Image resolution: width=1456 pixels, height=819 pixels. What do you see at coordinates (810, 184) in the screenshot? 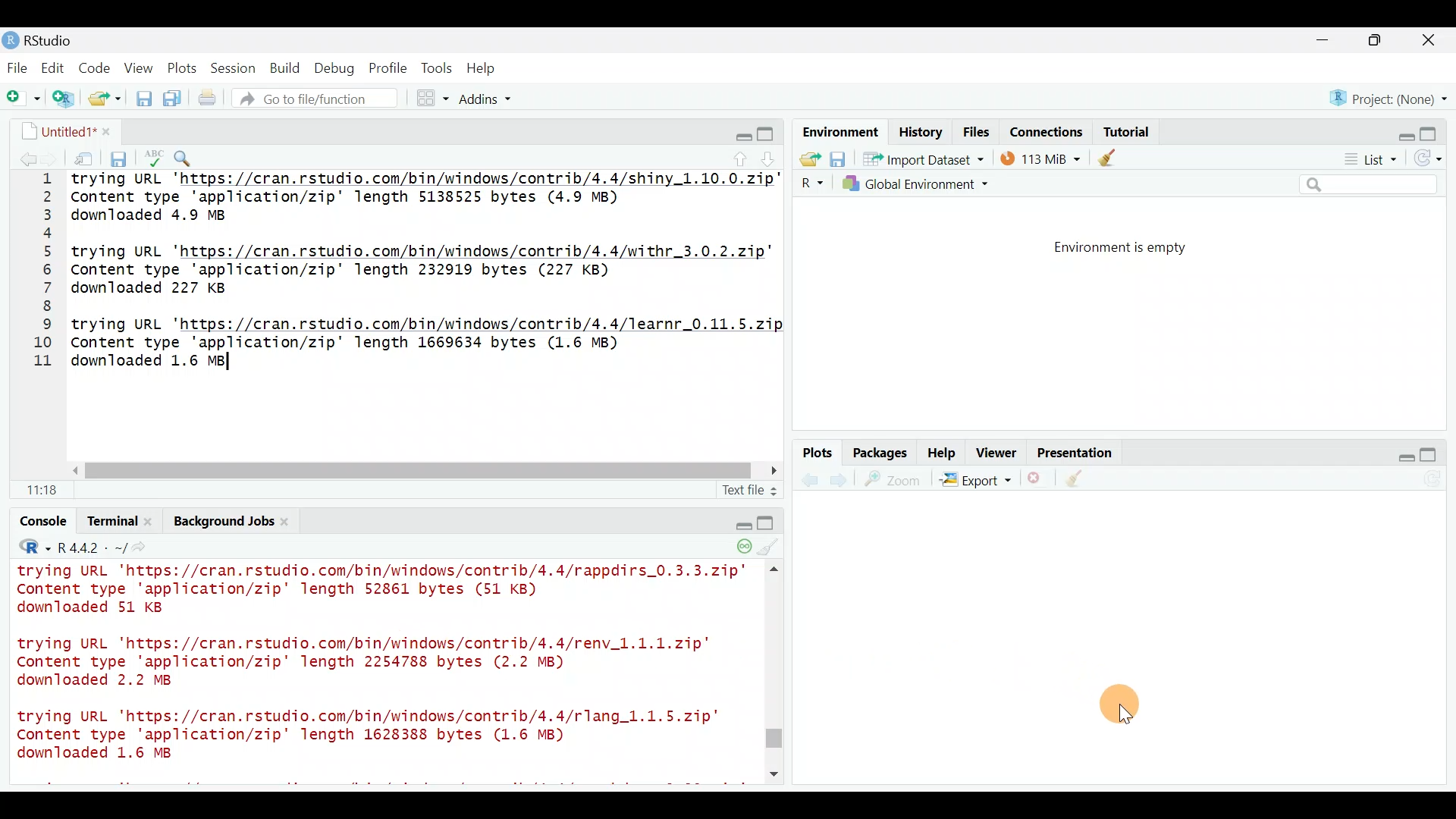
I see `R` at bounding box center [810, 184].